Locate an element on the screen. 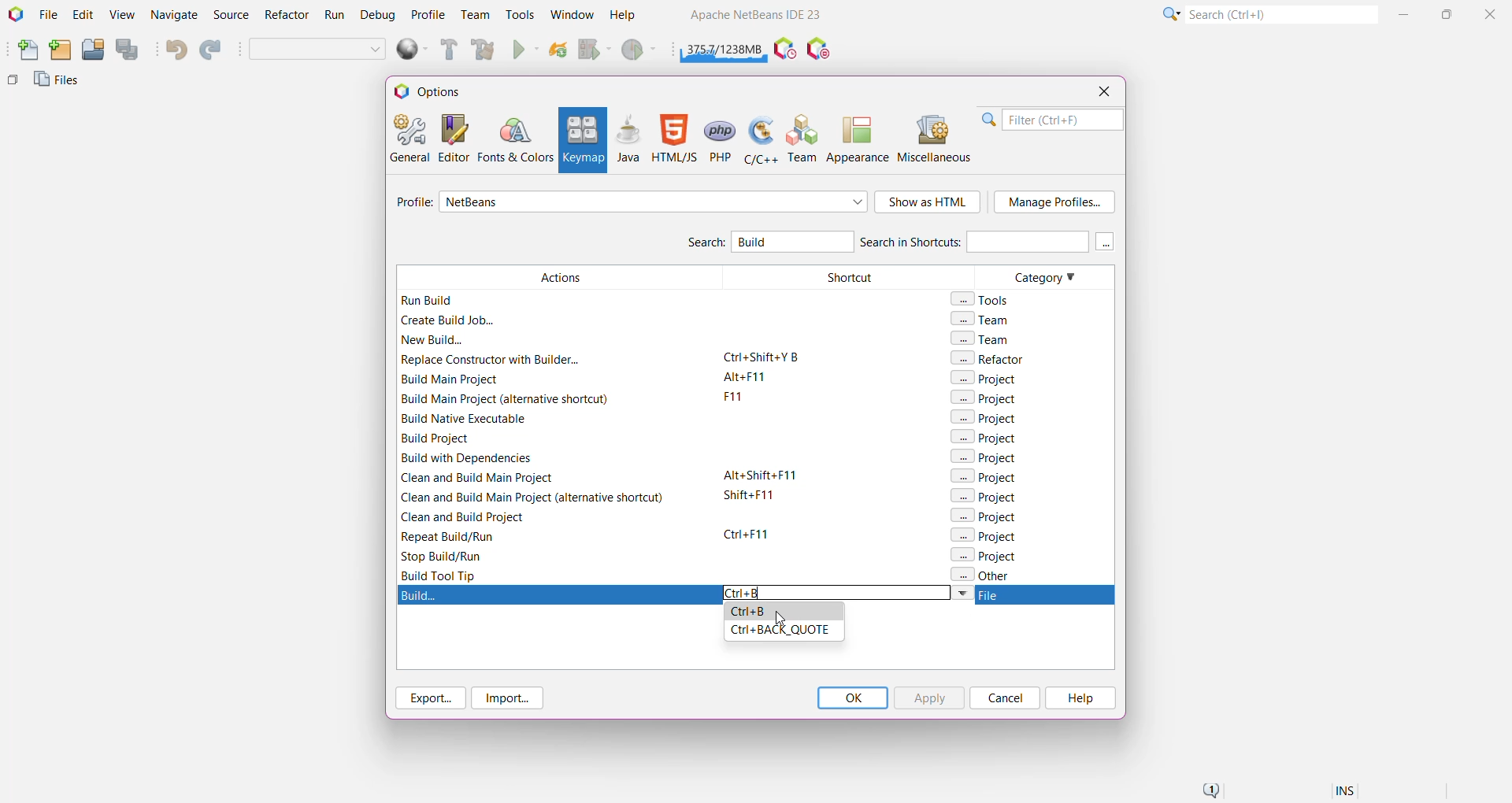 The width and height of the screenshot is (1512, 803). Files is located at coordinates (59, 83).